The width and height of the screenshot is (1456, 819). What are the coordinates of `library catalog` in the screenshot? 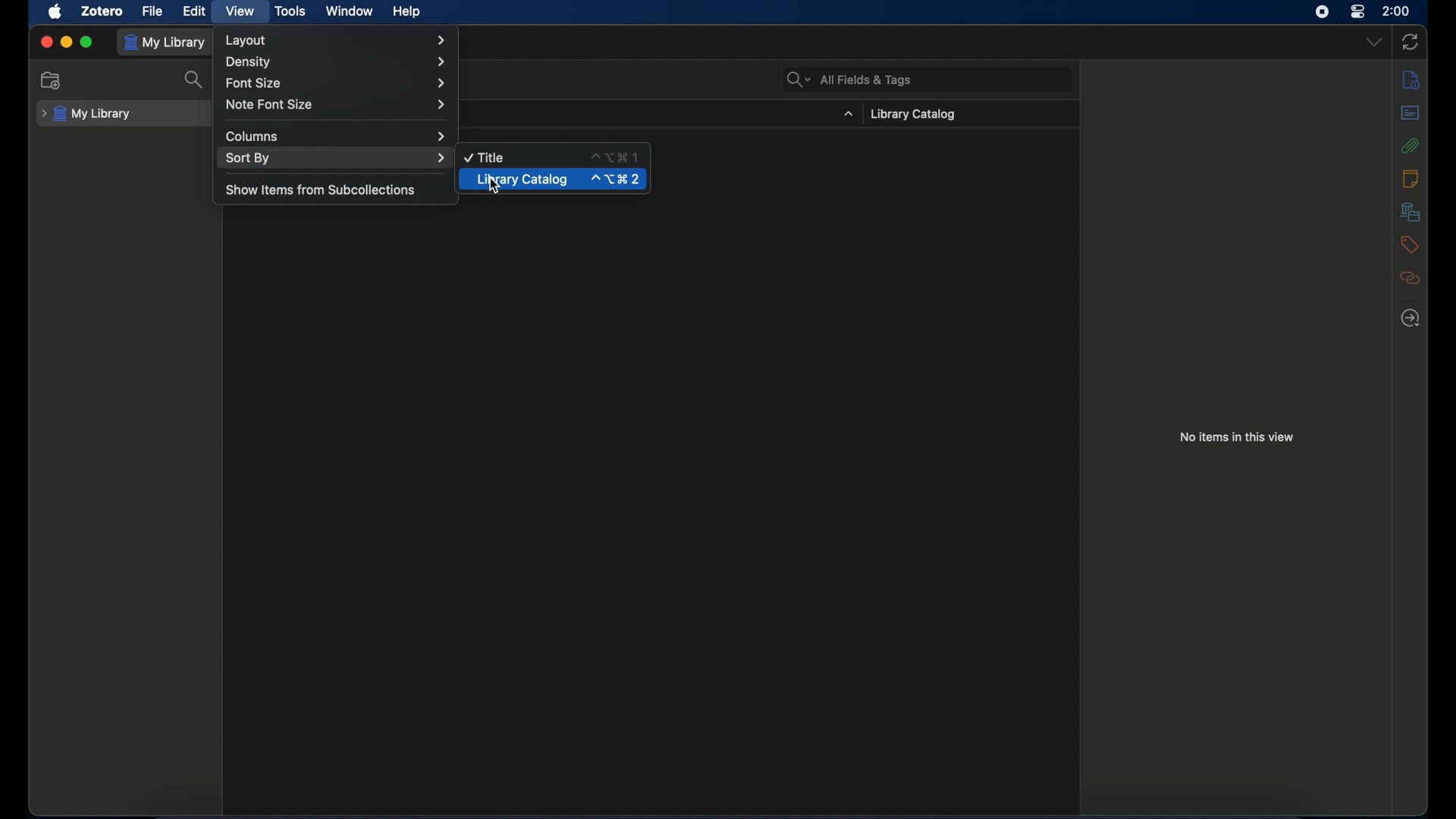 It's located at (522, 179).